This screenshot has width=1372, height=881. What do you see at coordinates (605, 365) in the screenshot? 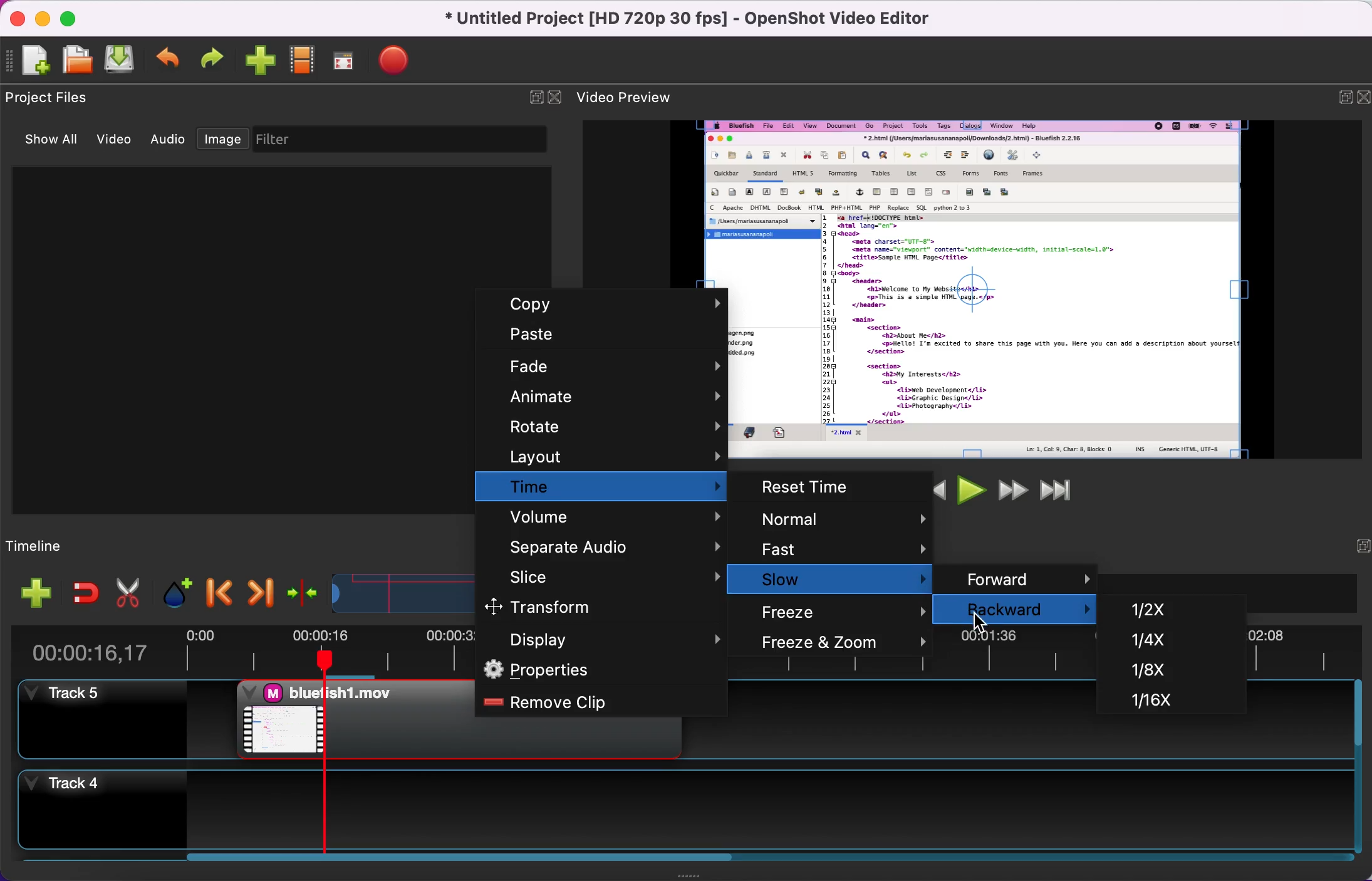
I see `fade` at bounding box center [605, 365].